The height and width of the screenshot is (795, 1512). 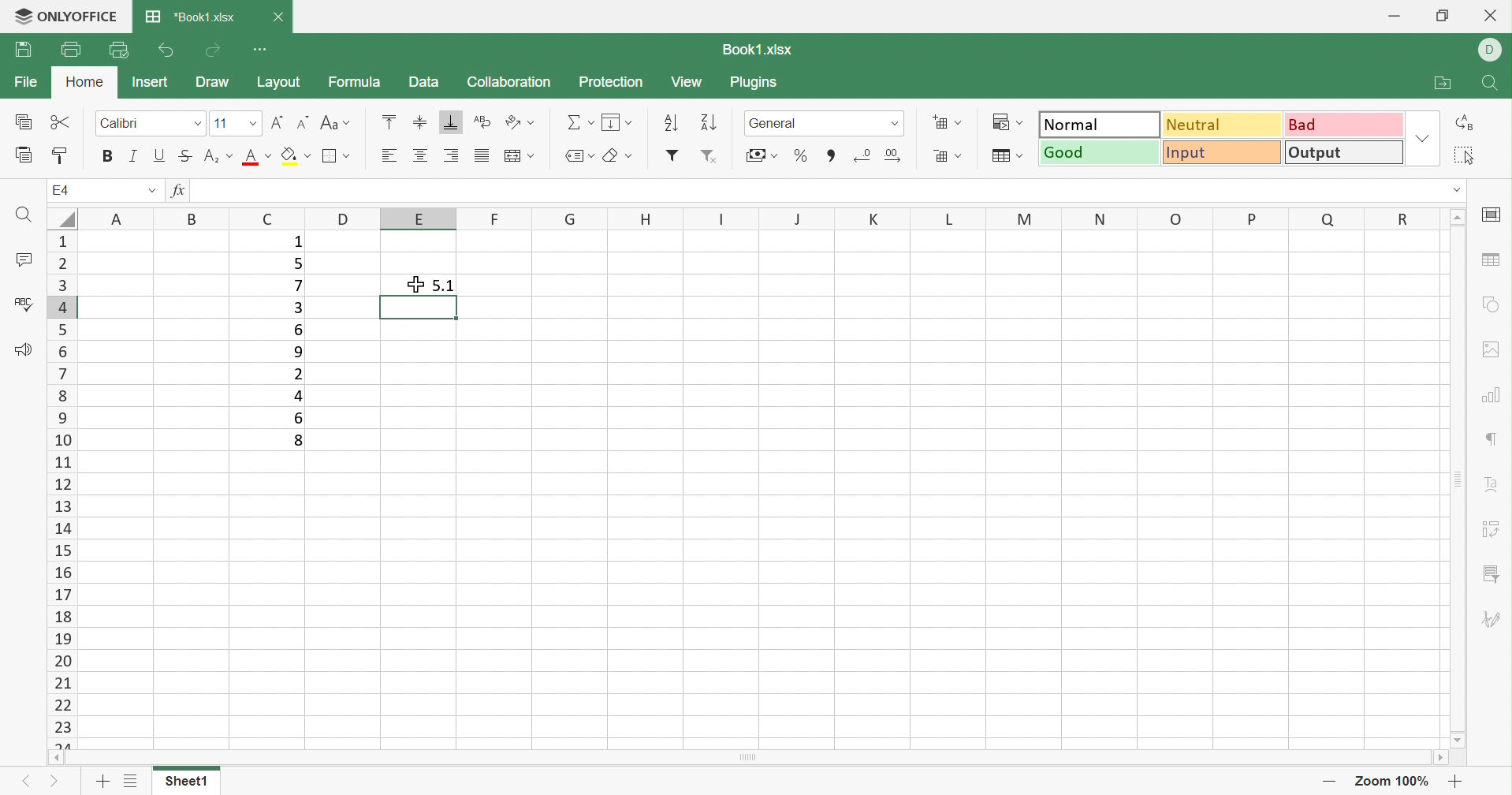 What do you see at coordinates (1492, 258) in the screenshot?
I see `Table settings` at bounding box center [1492, 258].